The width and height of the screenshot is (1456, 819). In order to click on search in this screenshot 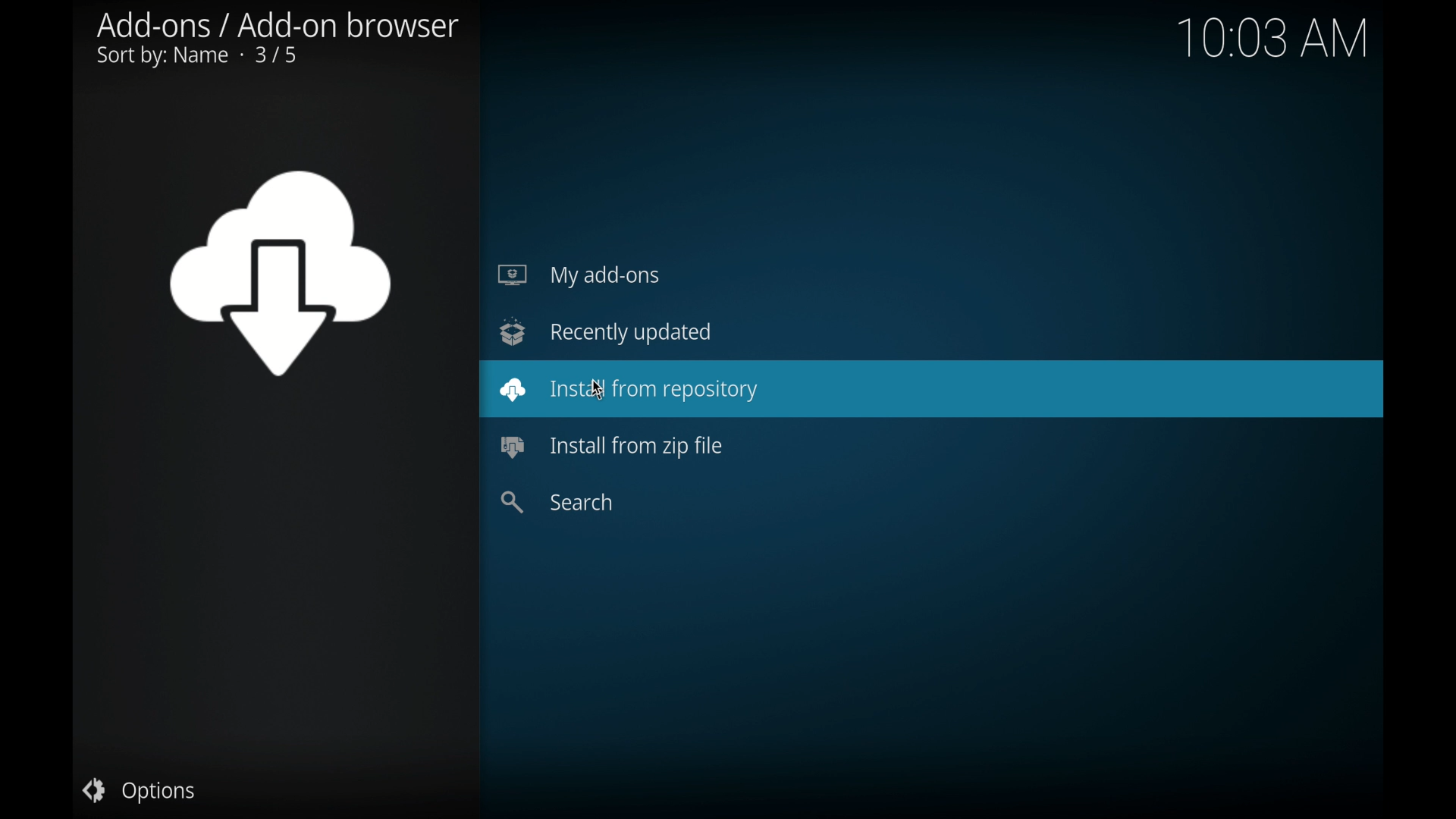, I will do `click(557, 501)`.